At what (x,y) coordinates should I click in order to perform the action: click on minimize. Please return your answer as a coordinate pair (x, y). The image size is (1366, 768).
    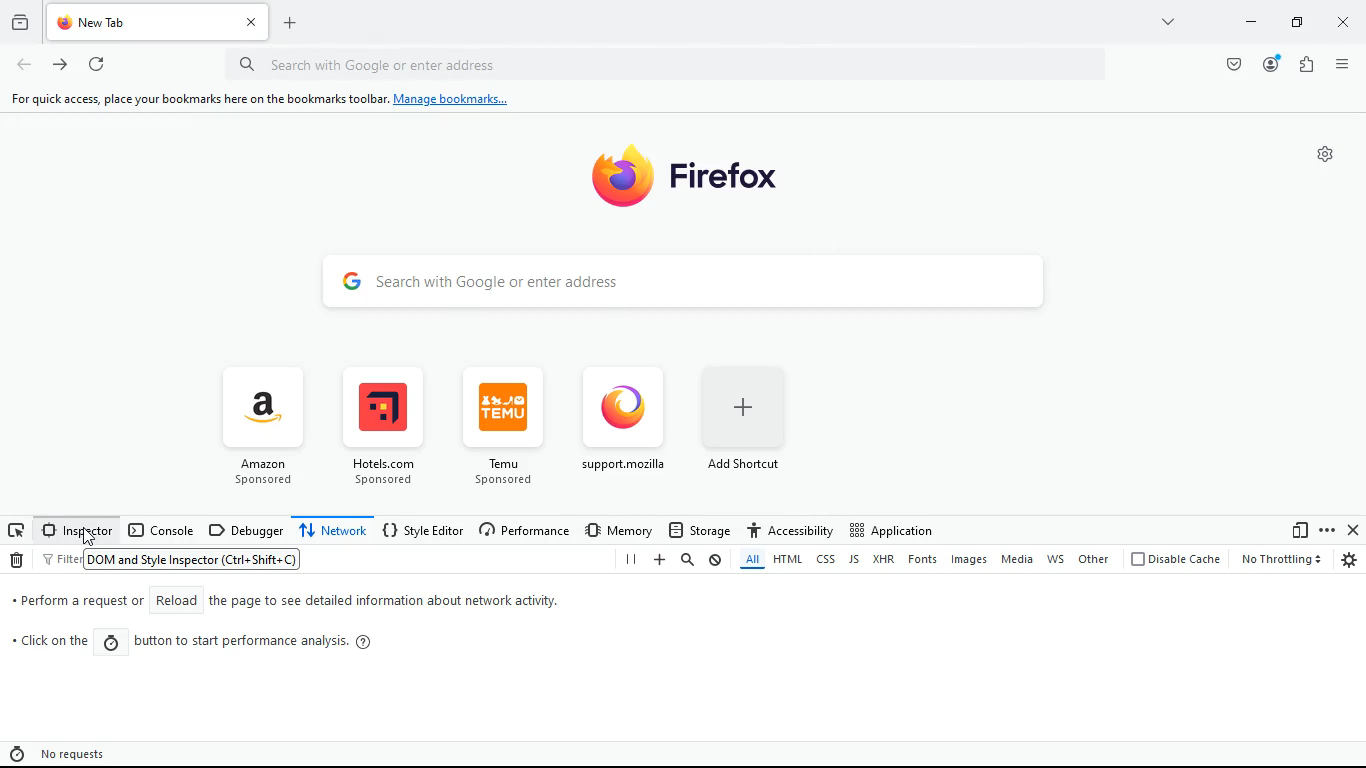
    Looking at the image, I should click on (1247, 23).